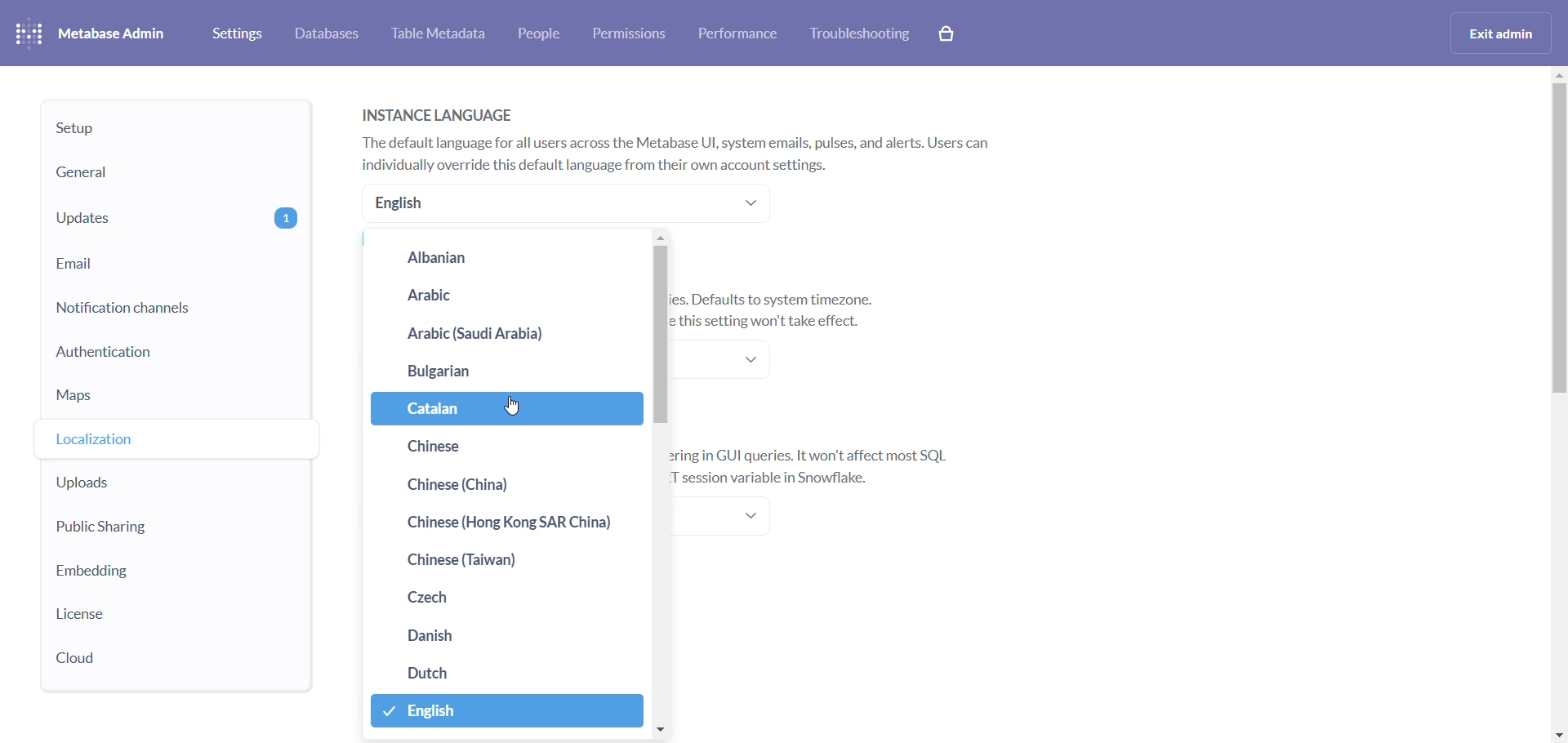 The width and height of the screenshot is (1568, 743). I want to click on uploads, so click(160, 479).